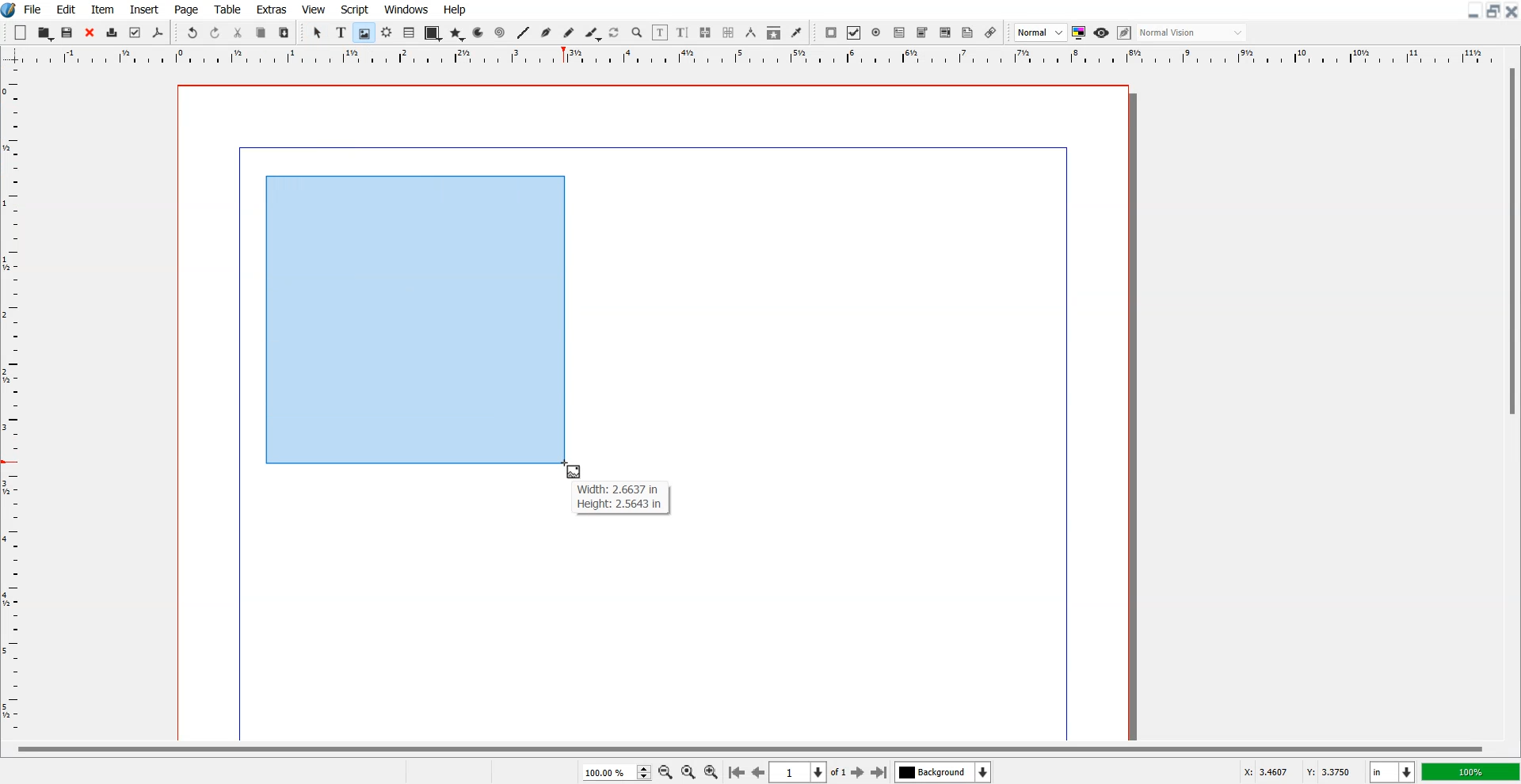 The image size is (1521, 784). What do you see at coordinates (135, 33) in the screenshot?
I see `Preflight verifier` at bounding box center [135, 33].